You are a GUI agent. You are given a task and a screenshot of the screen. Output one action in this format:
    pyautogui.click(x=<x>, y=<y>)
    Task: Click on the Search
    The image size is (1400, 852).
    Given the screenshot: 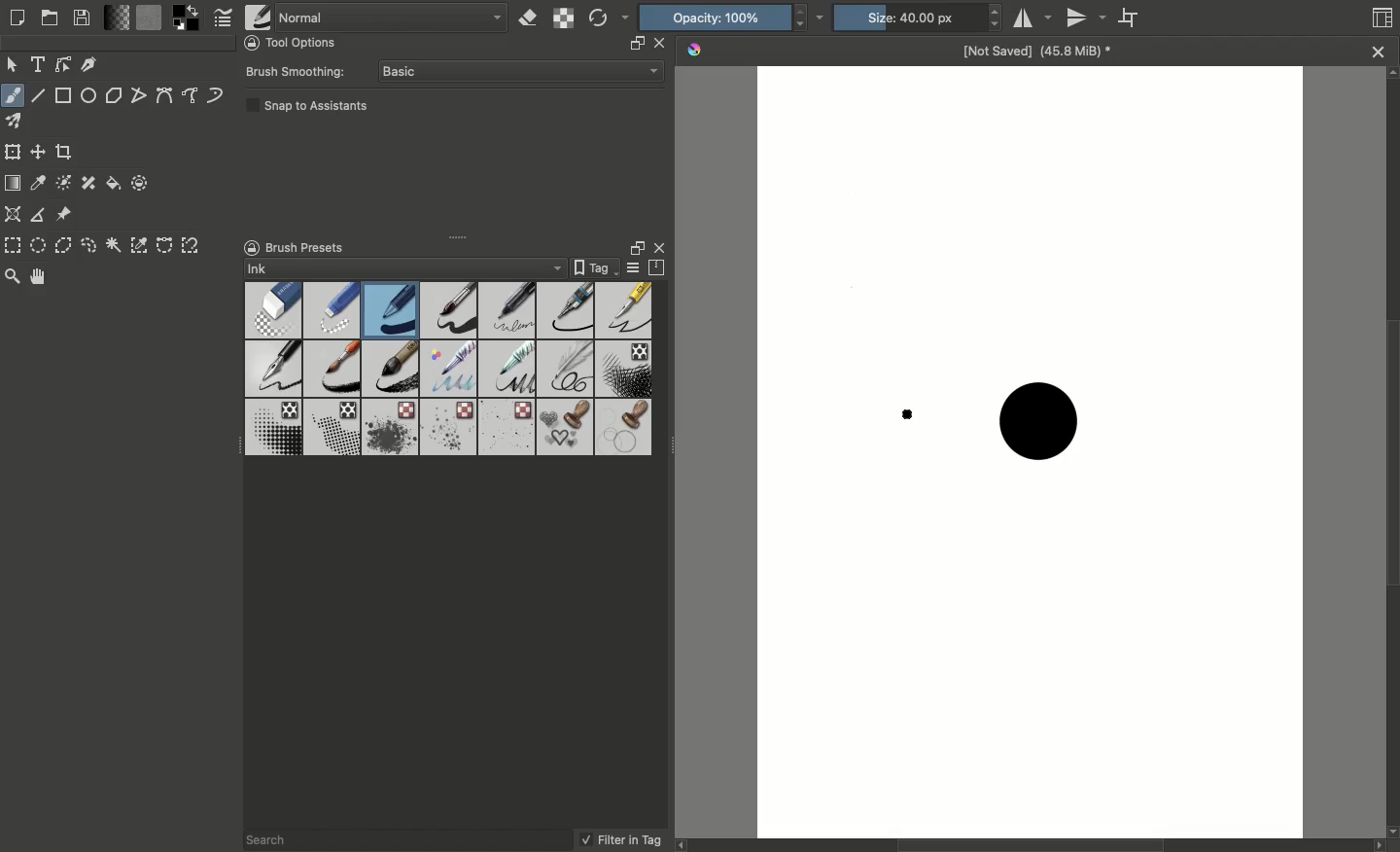 What is the action you would take?
    pyautogui.click(x=276, y=838)
    